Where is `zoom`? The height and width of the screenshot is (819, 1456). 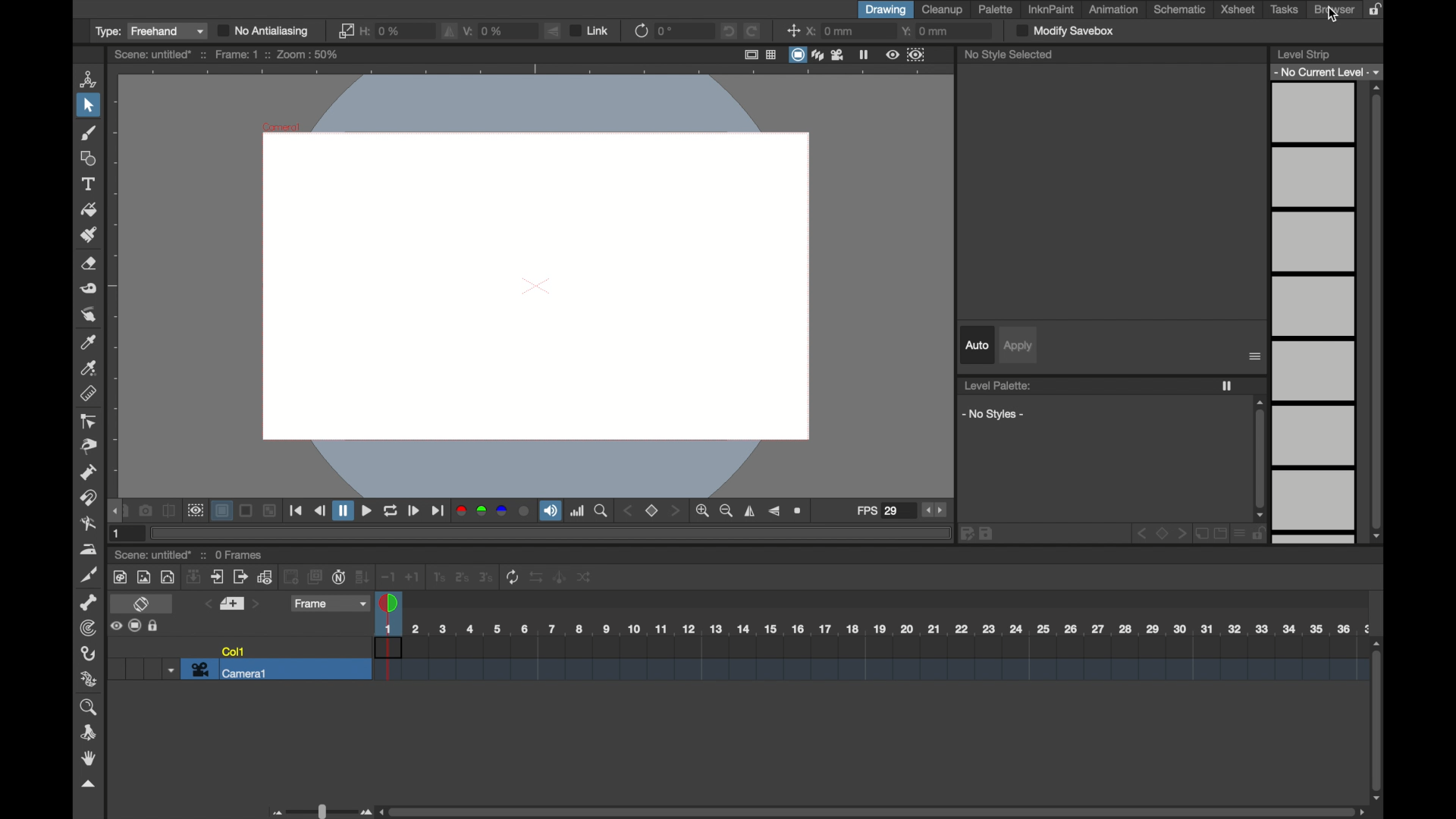
zoom is located at coordinates (799, 510).